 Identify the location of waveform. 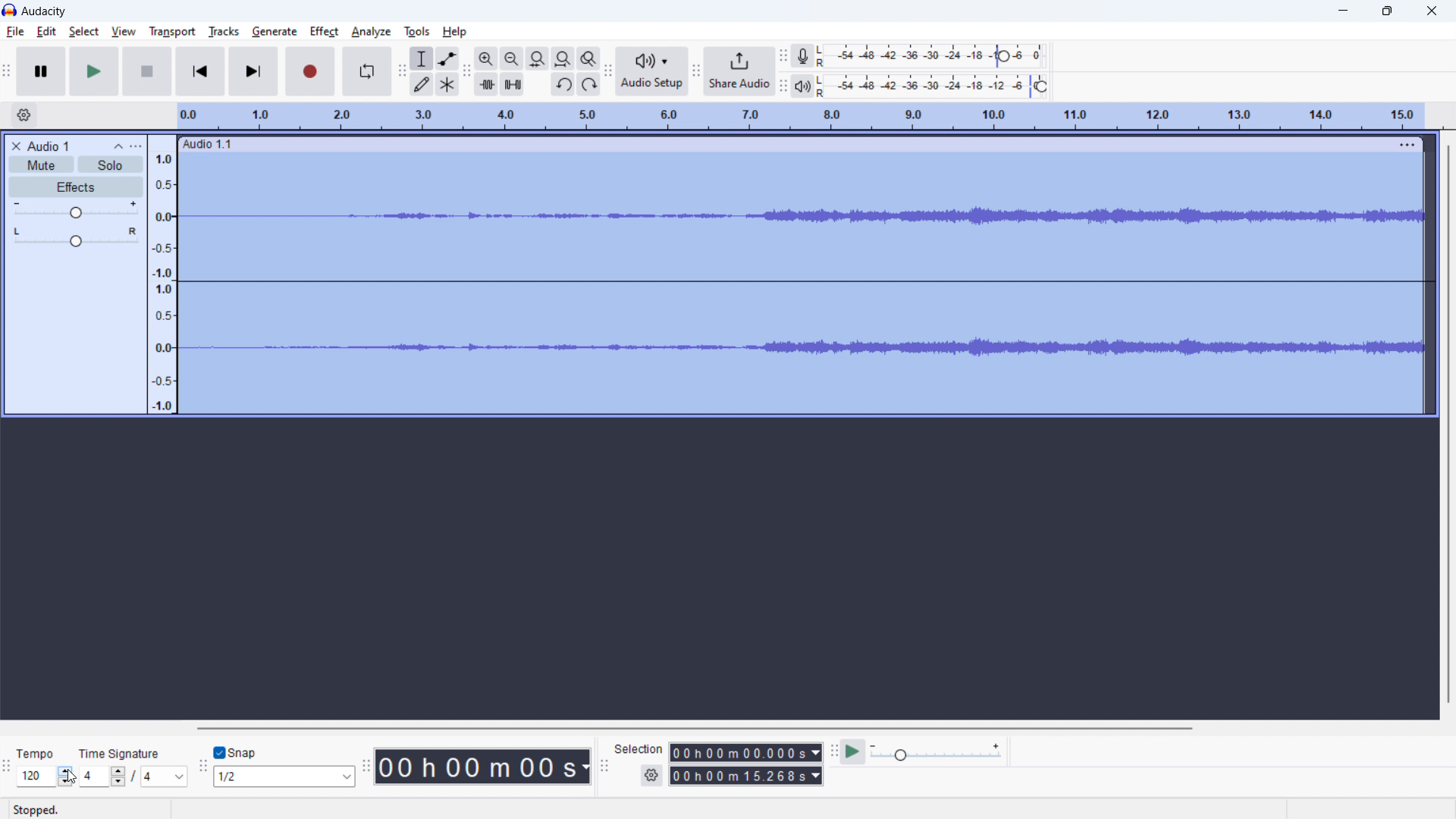
(802, 216).